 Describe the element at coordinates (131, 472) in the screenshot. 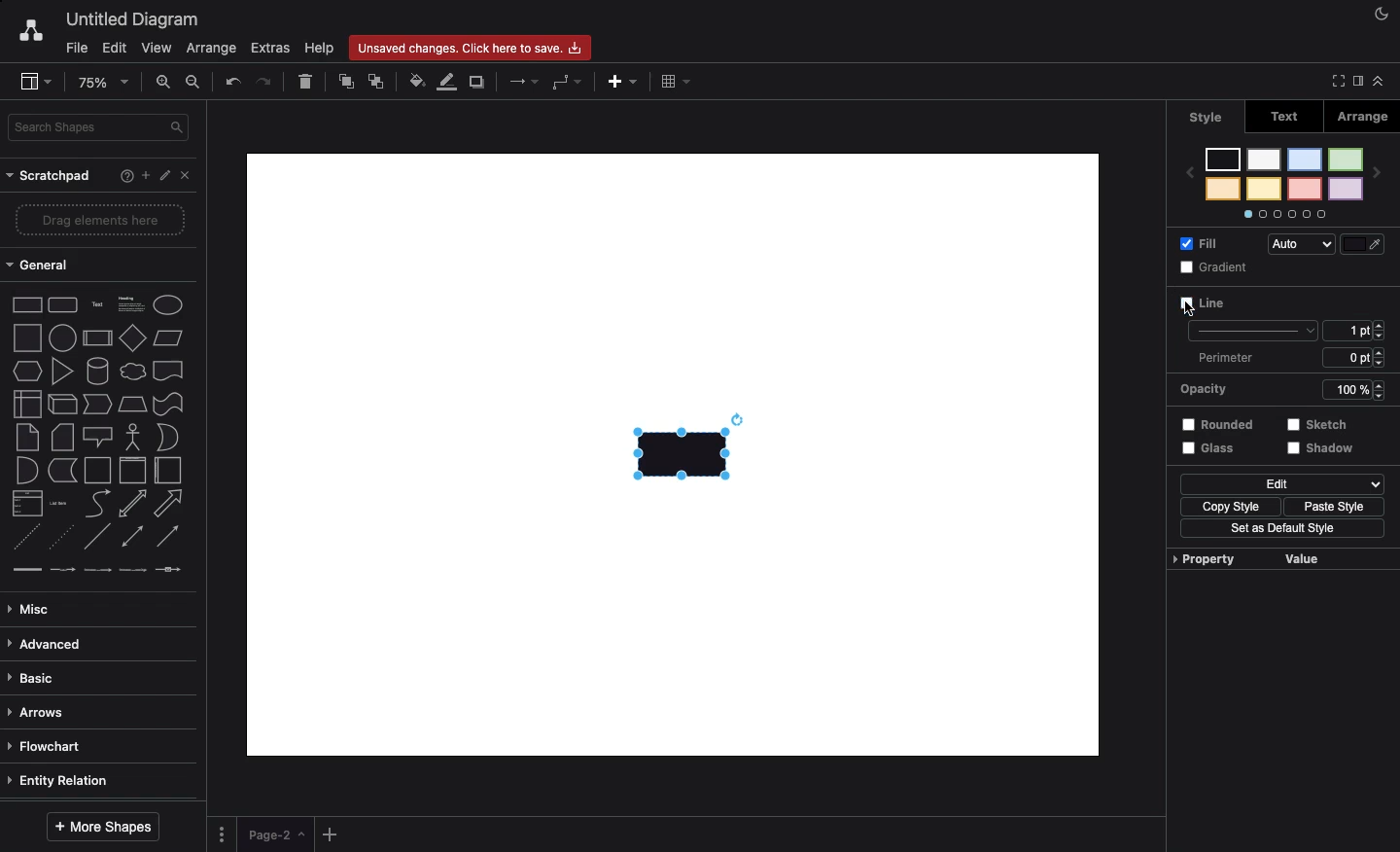

I see `vertical container` at that location.